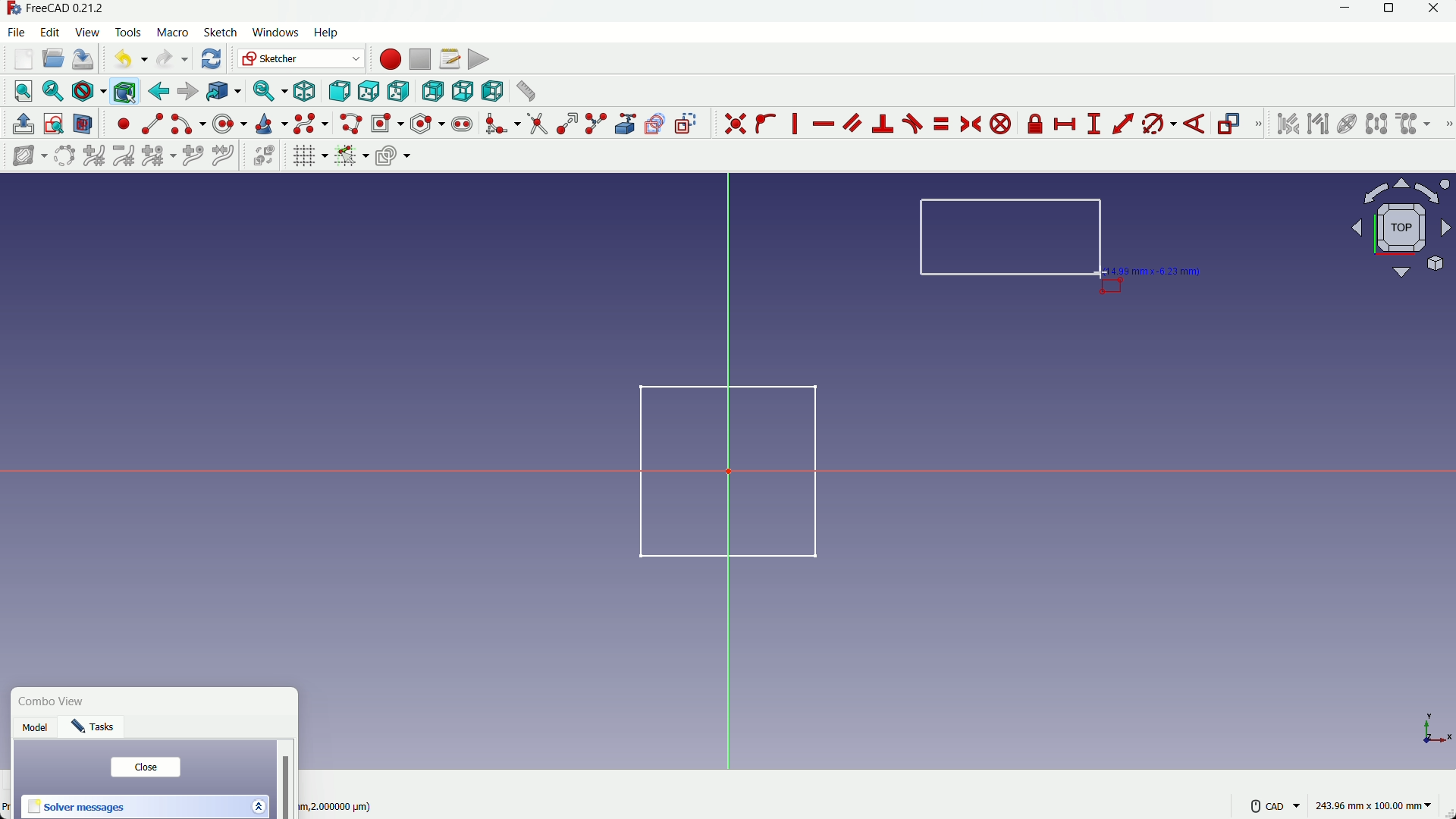 The image size is (1456, 819). Describe the element at coordinates (152, 124) in the screenshot. I see `create line` at that location.